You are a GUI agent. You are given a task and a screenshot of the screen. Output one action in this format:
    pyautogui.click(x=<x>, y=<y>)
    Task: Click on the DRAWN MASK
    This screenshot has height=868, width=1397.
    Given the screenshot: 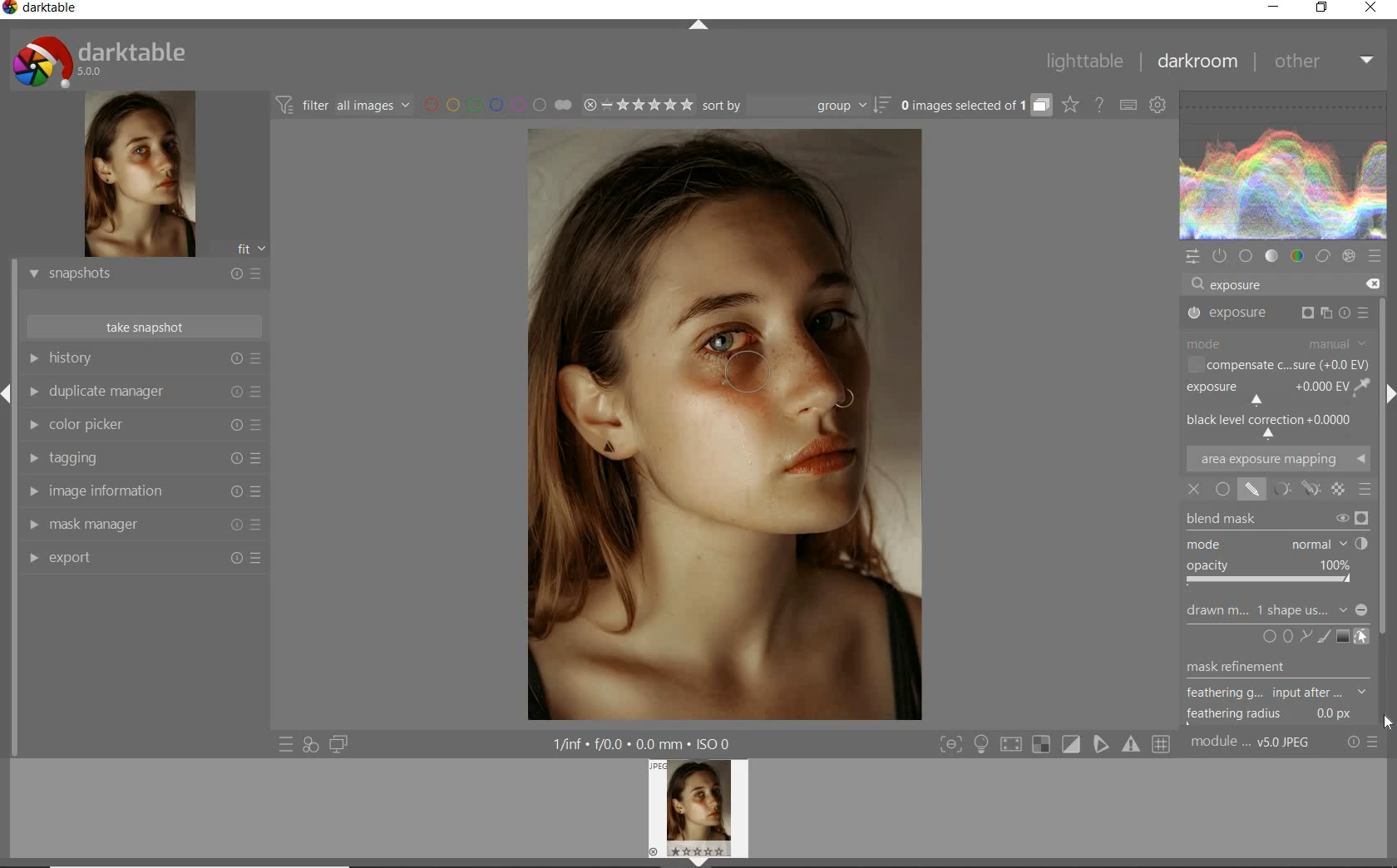 What is the action you would take?
    pyautogui.click(x=1277, y=610)
    